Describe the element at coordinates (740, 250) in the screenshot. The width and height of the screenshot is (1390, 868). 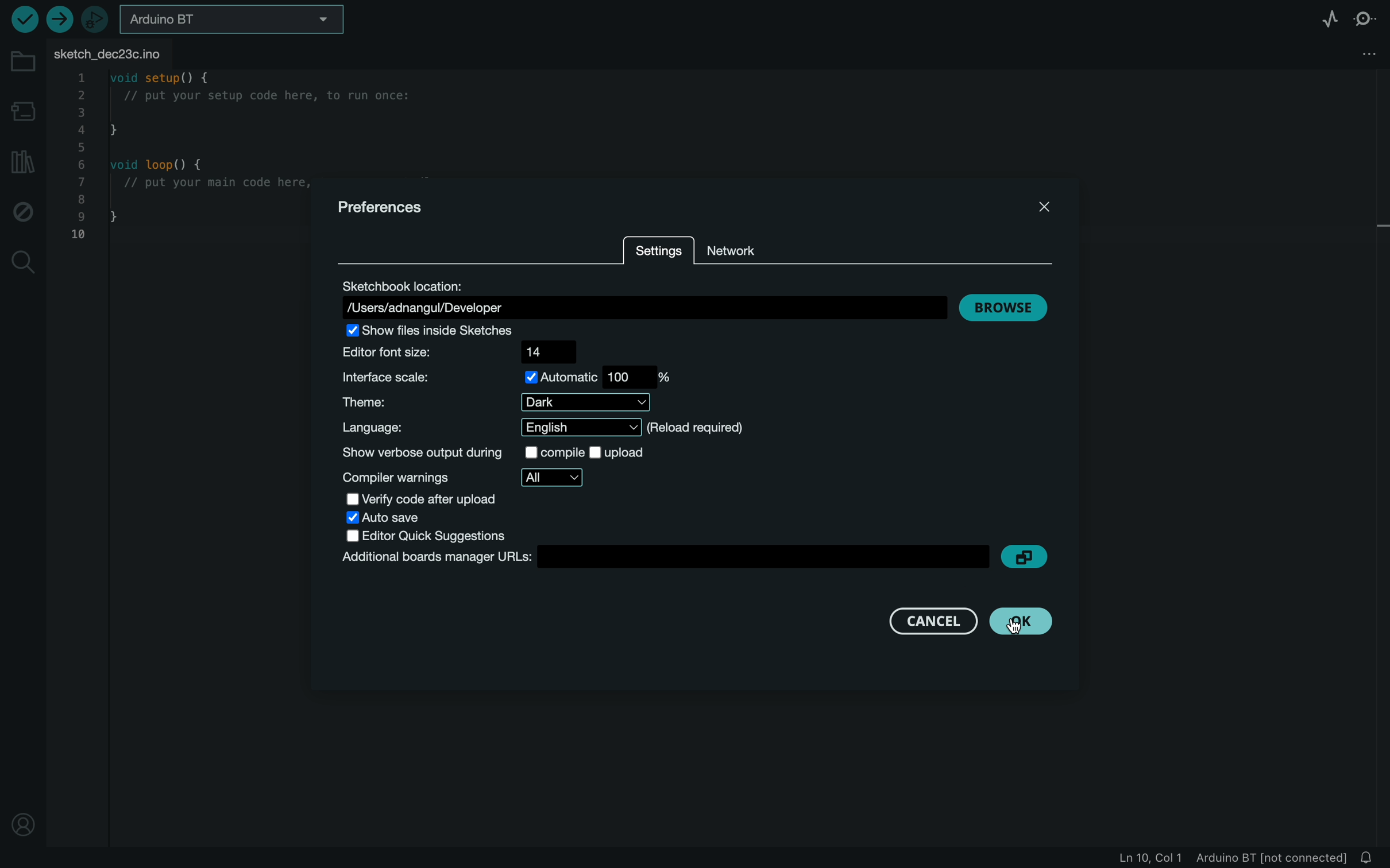
I see `network` at that location.